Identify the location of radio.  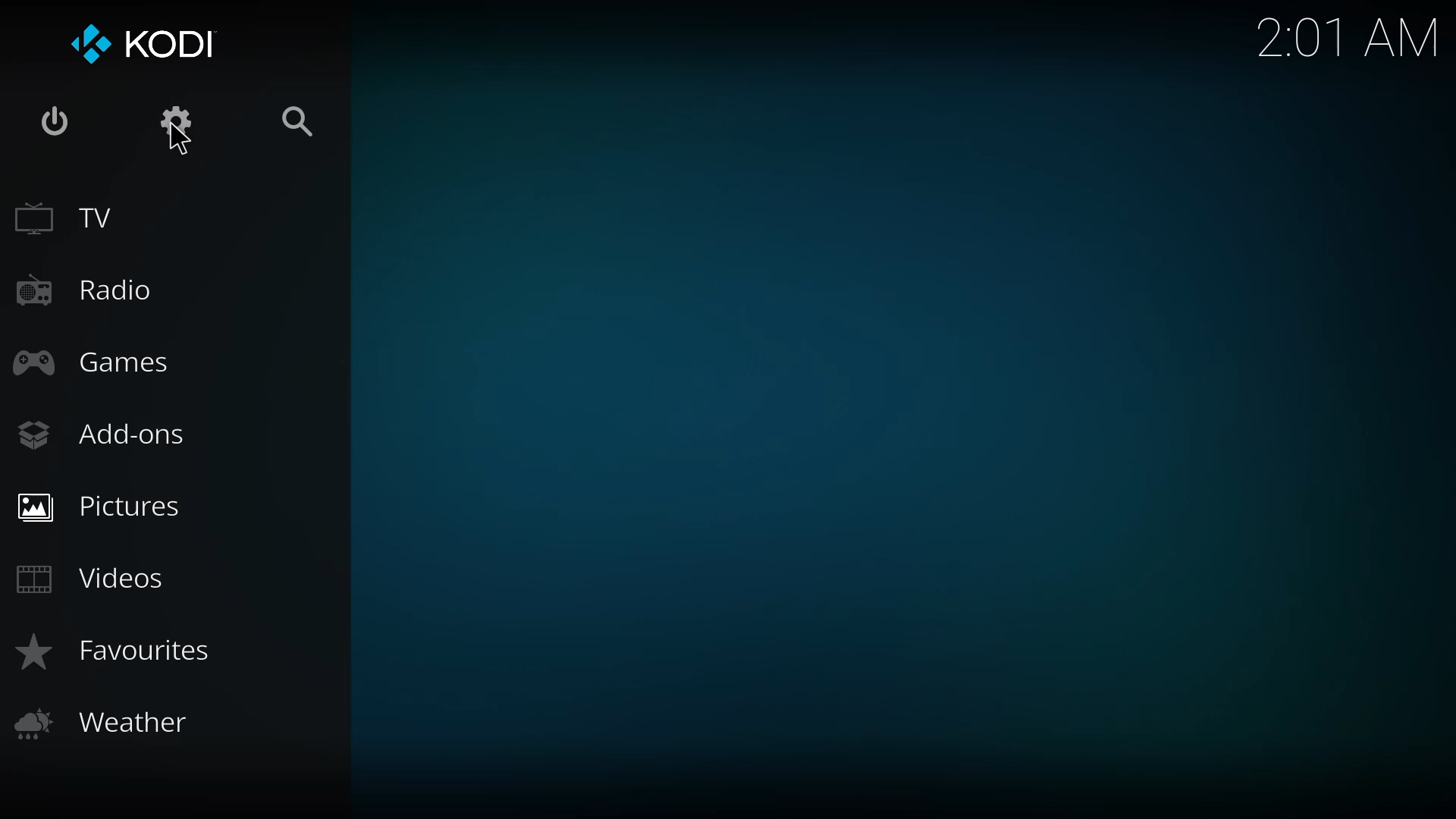
(98, 292).